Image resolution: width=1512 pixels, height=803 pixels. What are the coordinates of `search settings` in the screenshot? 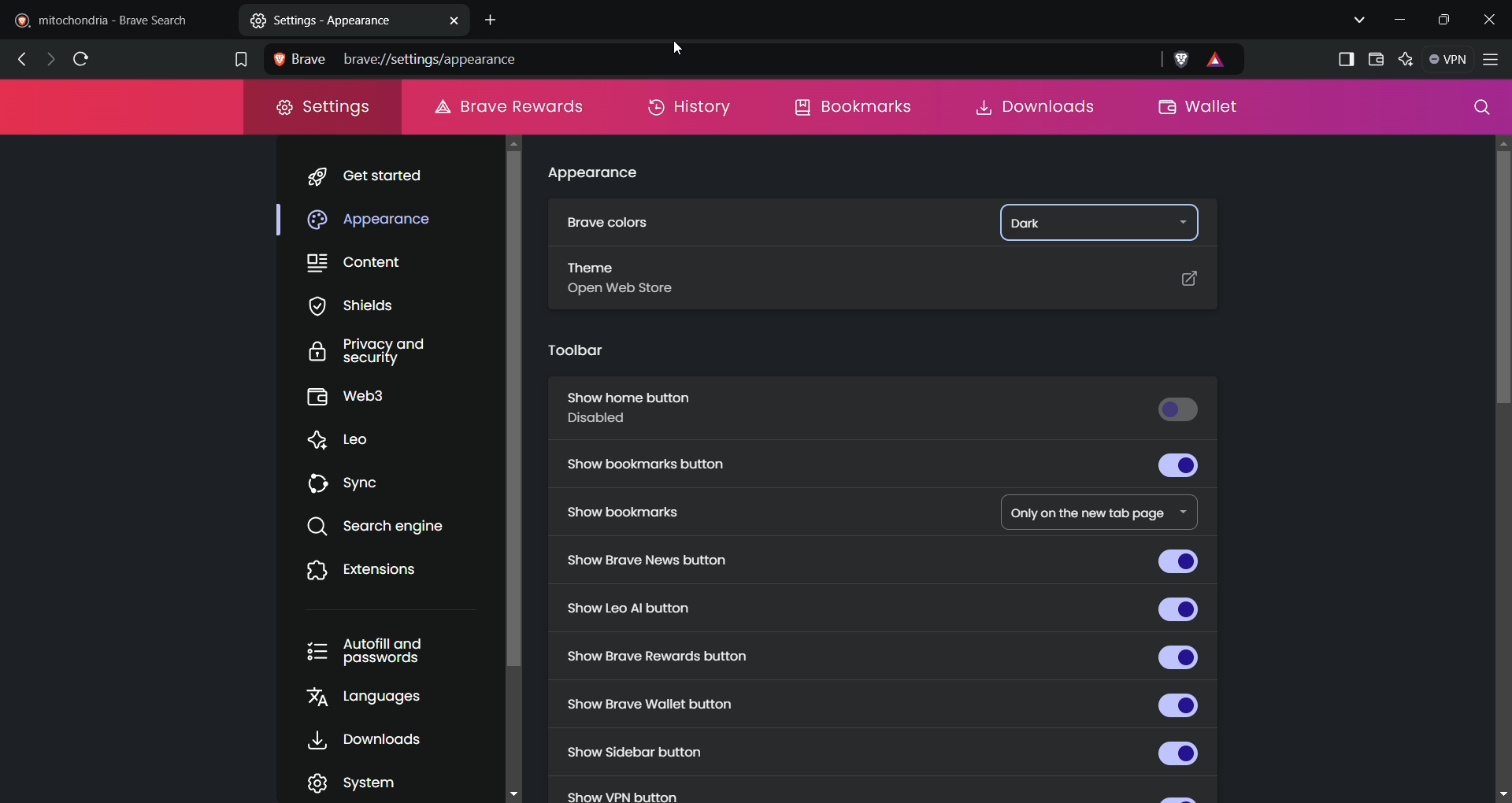 It's located at (1477, 108).